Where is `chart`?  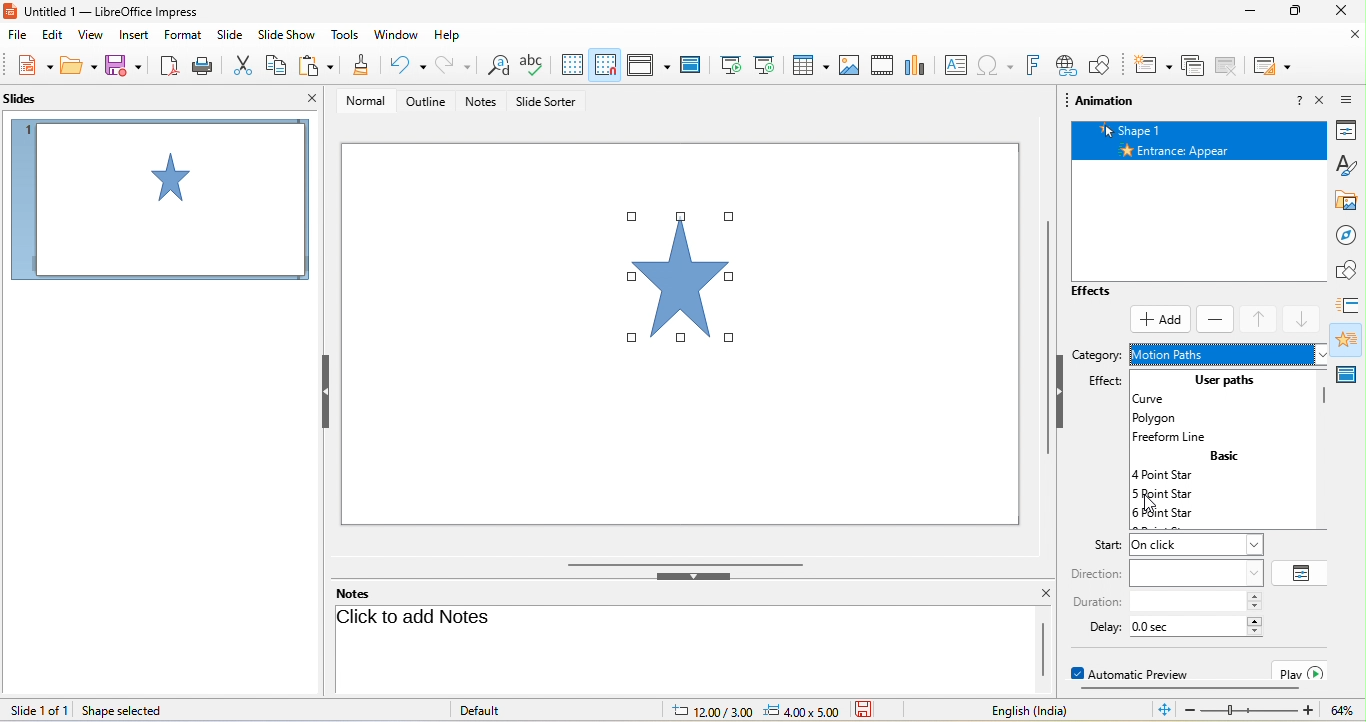
chart is located at coordinates (917, 64).